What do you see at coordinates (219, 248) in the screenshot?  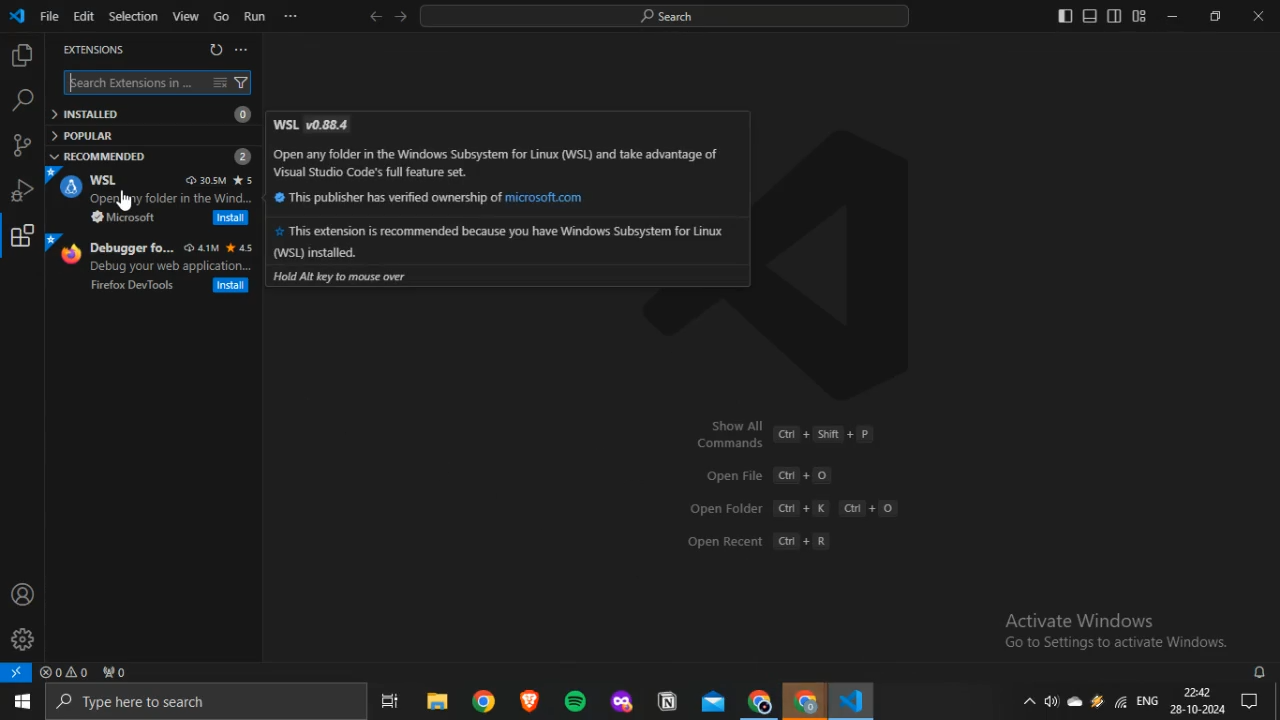 I see `4.1M 4.5` at bounding box center [219, 248].